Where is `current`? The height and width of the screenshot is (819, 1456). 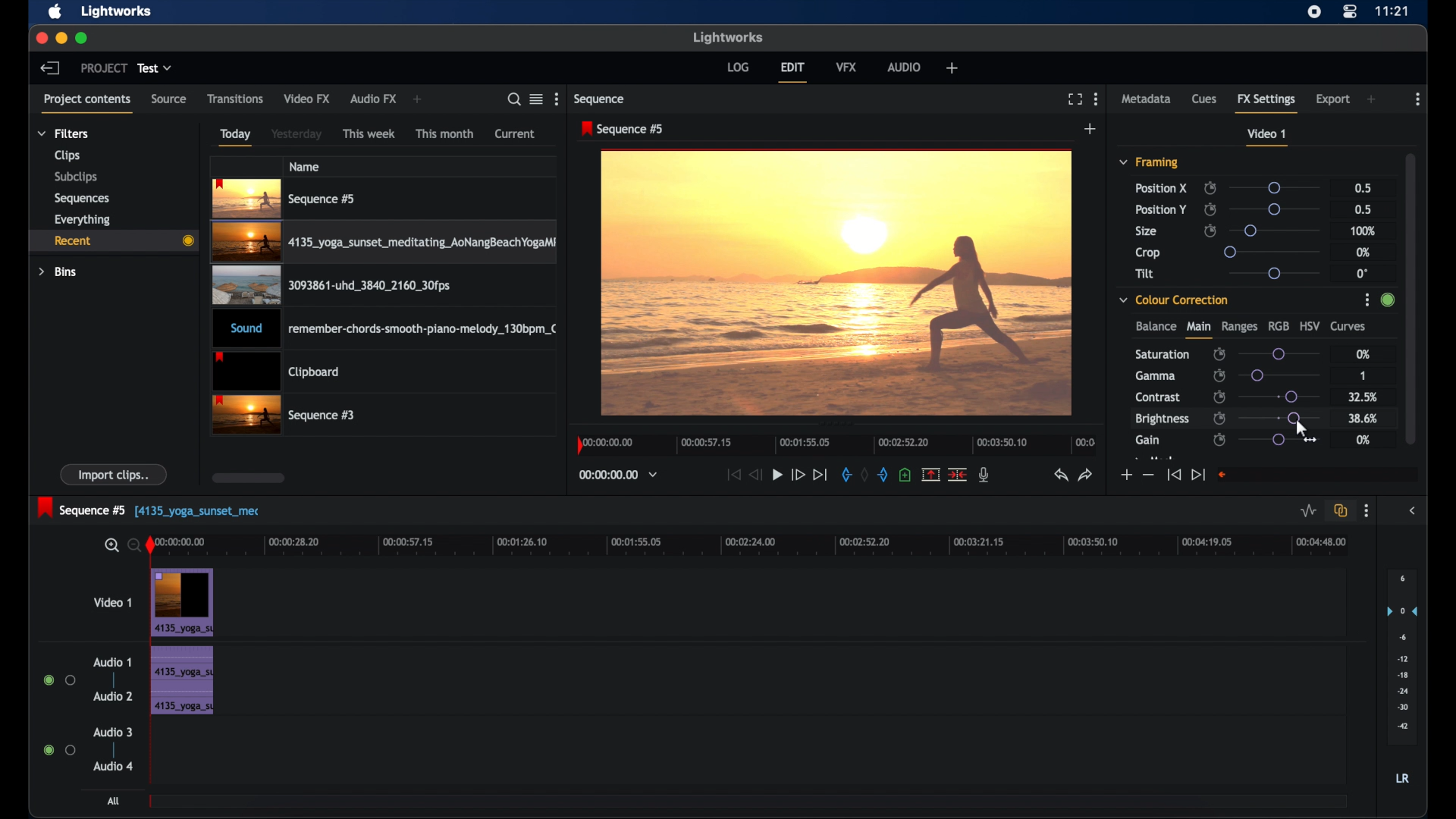 current is located at coordinates (515, 133).